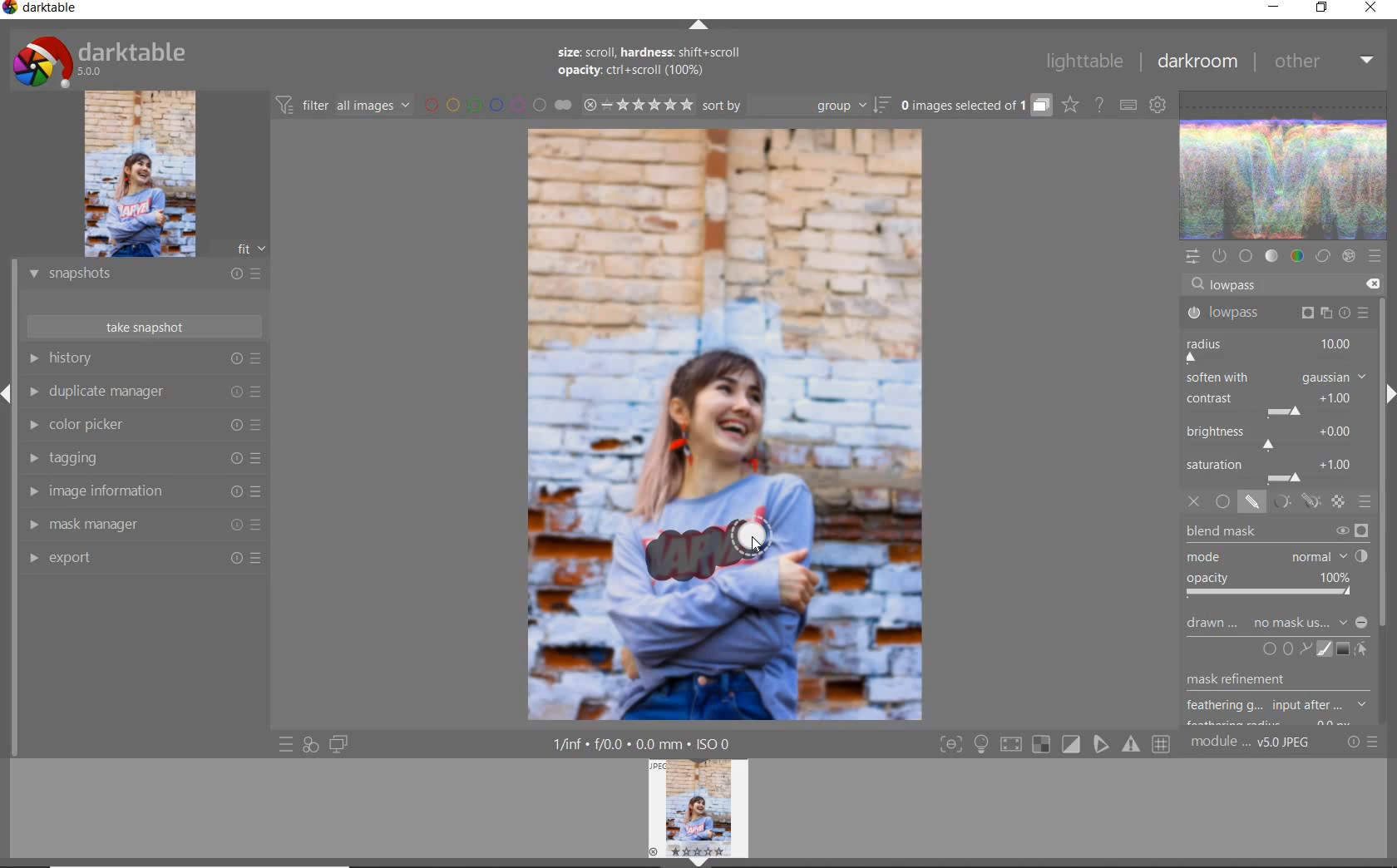  What do you see at coordinates (1310, 624) in the screenshot?
I see `no mask` at bounding box center [1310, 624].